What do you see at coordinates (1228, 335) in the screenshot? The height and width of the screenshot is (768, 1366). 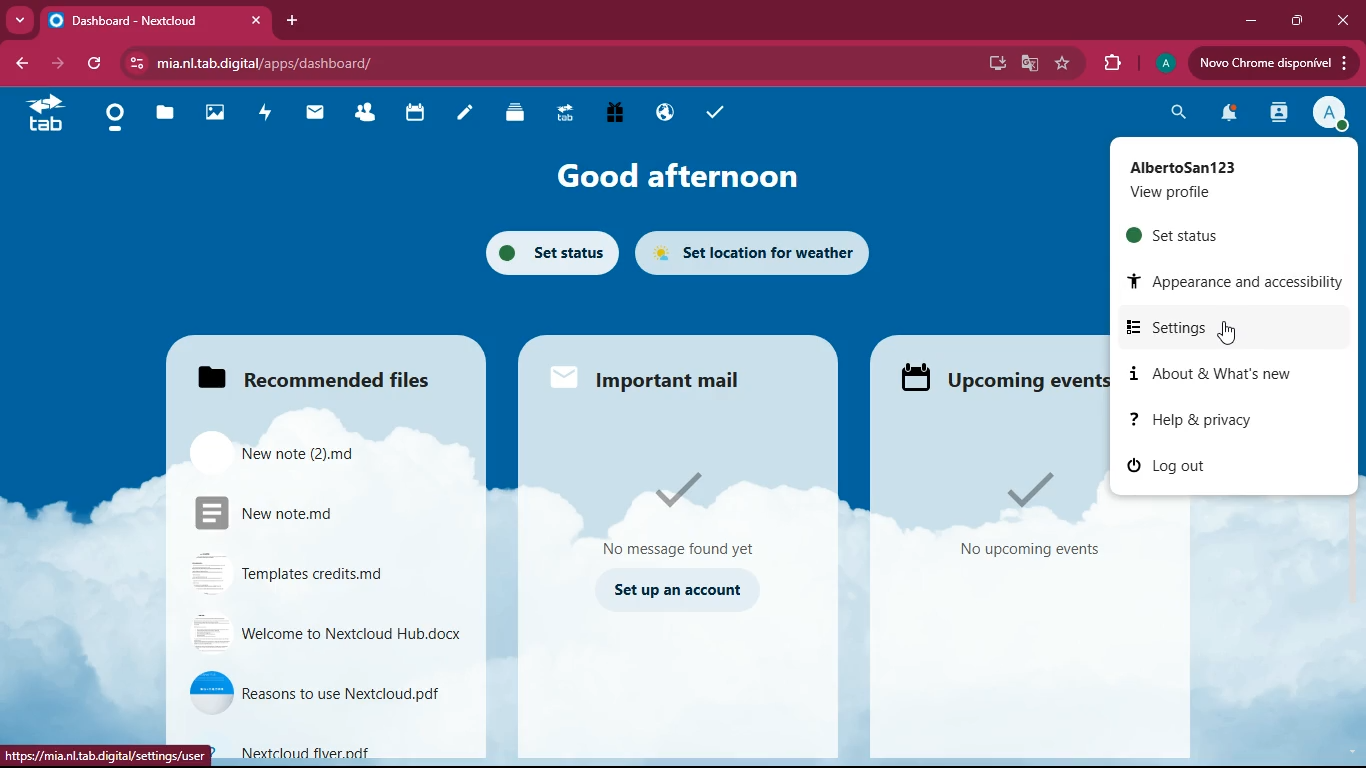 I see `pointing cursor` at bounding box center [1228, 335].